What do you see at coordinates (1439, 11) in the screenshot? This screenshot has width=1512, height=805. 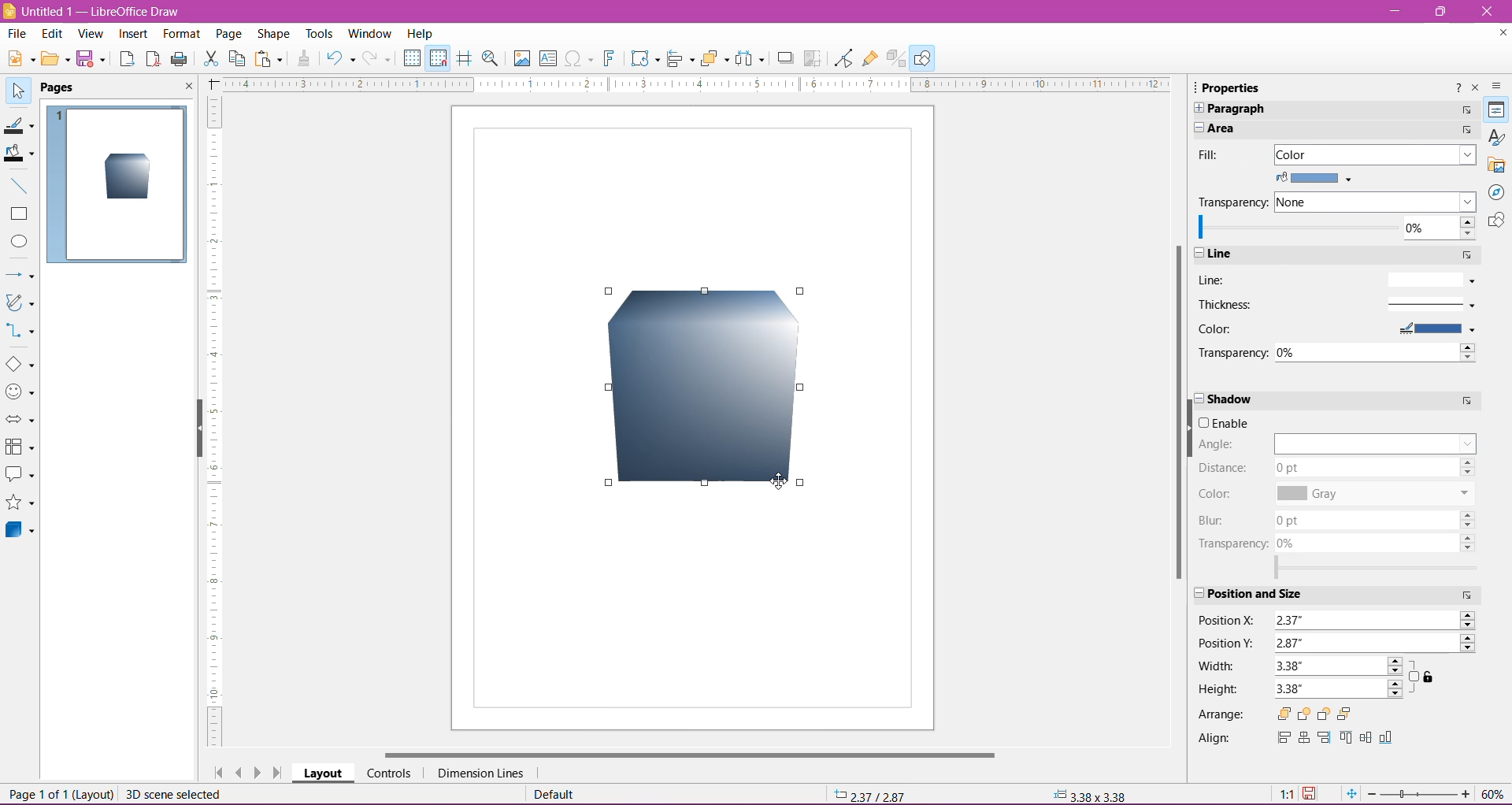 I see `Restore Down` at bounding box center [1439, 11].